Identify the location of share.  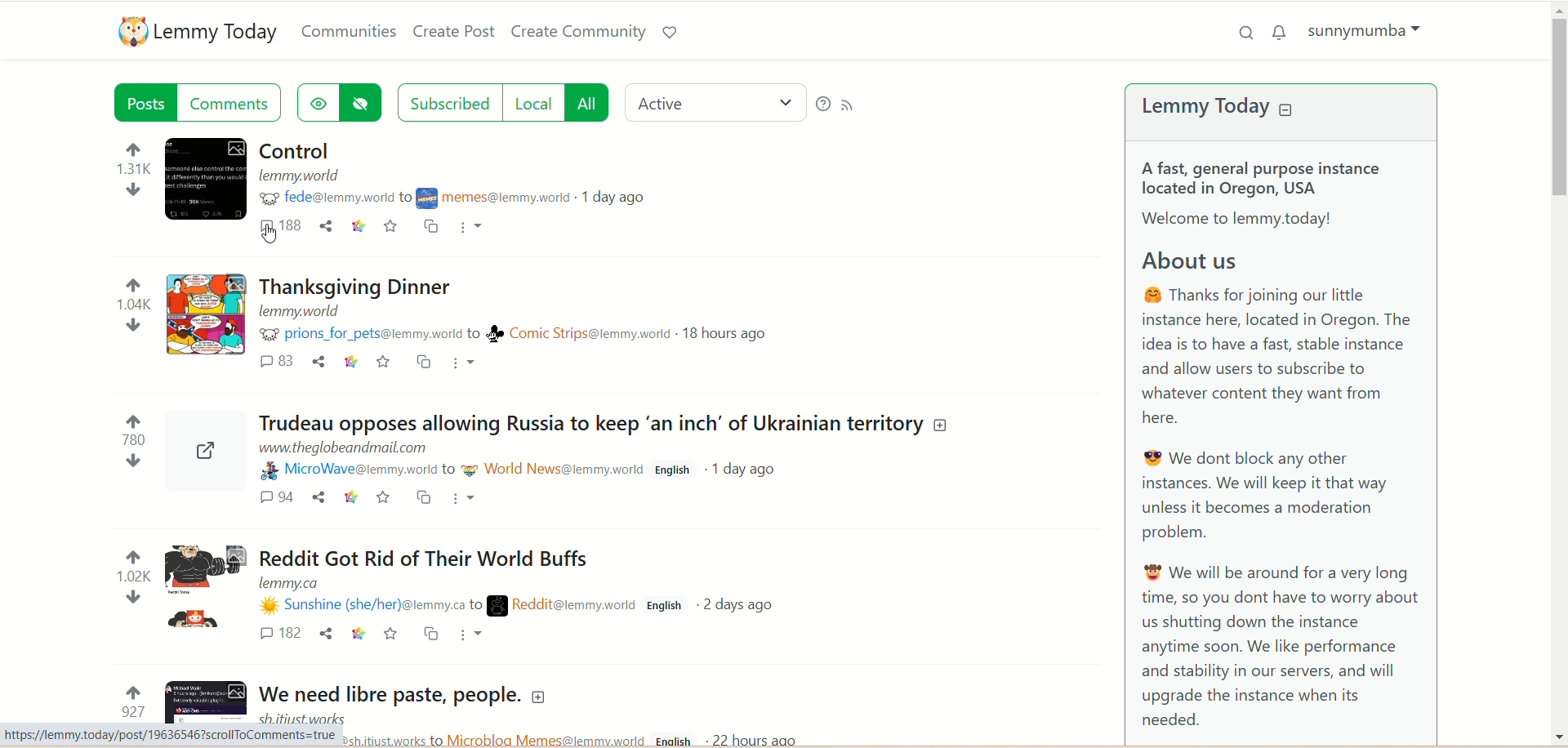
(321, 361).